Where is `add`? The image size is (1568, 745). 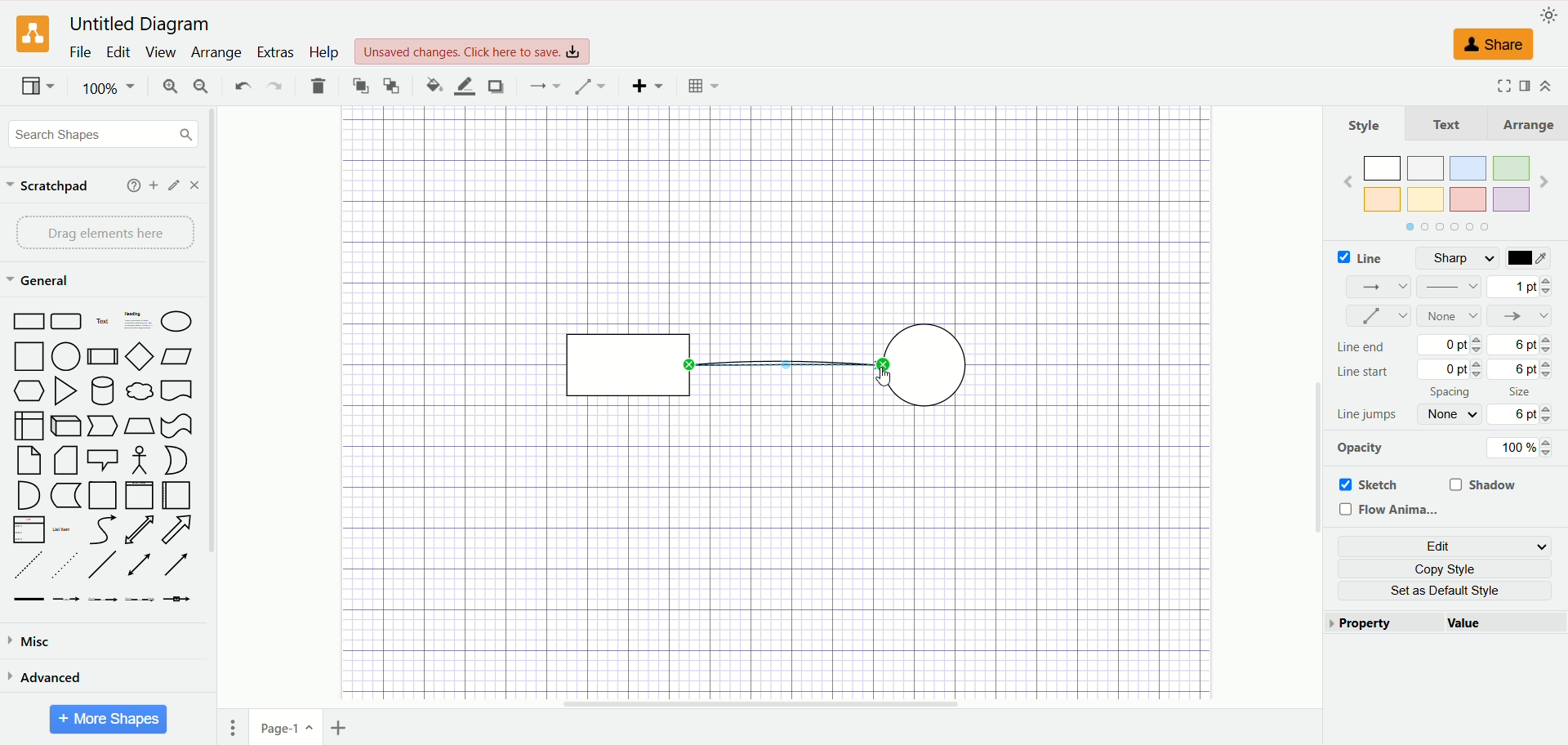 add is located at coordinates (152, 185).